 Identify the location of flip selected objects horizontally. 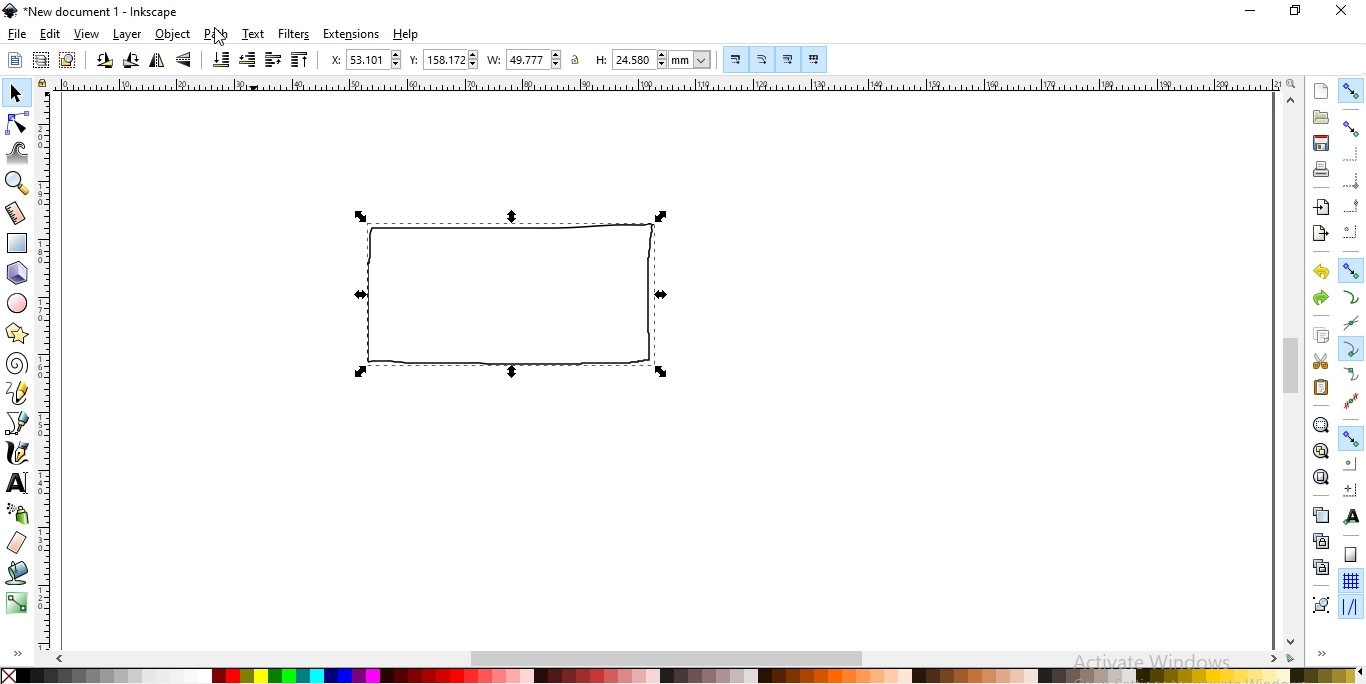
(158, 60).